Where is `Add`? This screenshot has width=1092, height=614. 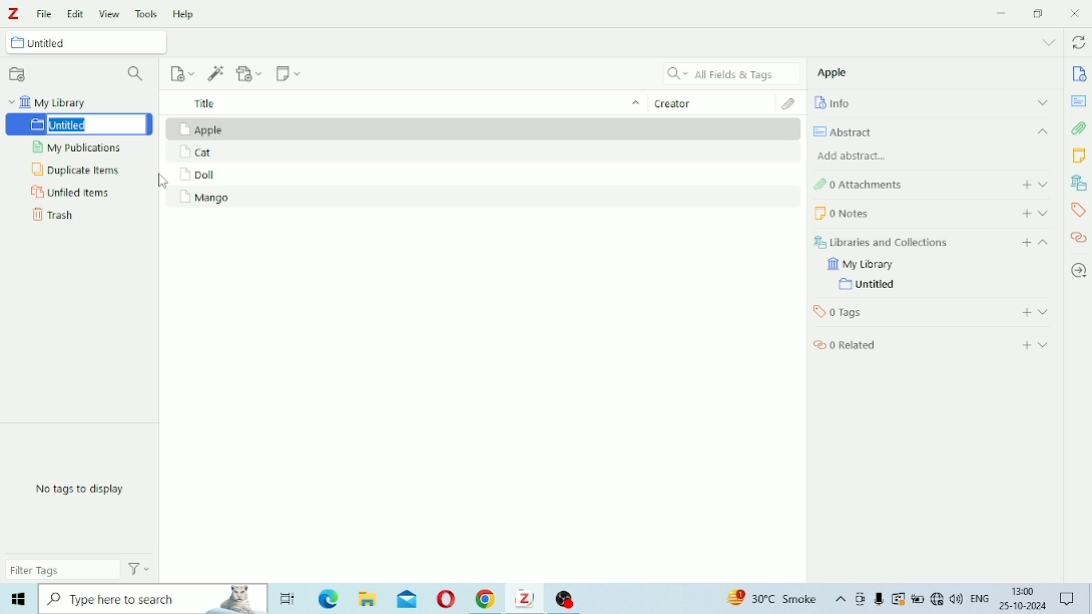
Add is located at coordinates (1027, 312).